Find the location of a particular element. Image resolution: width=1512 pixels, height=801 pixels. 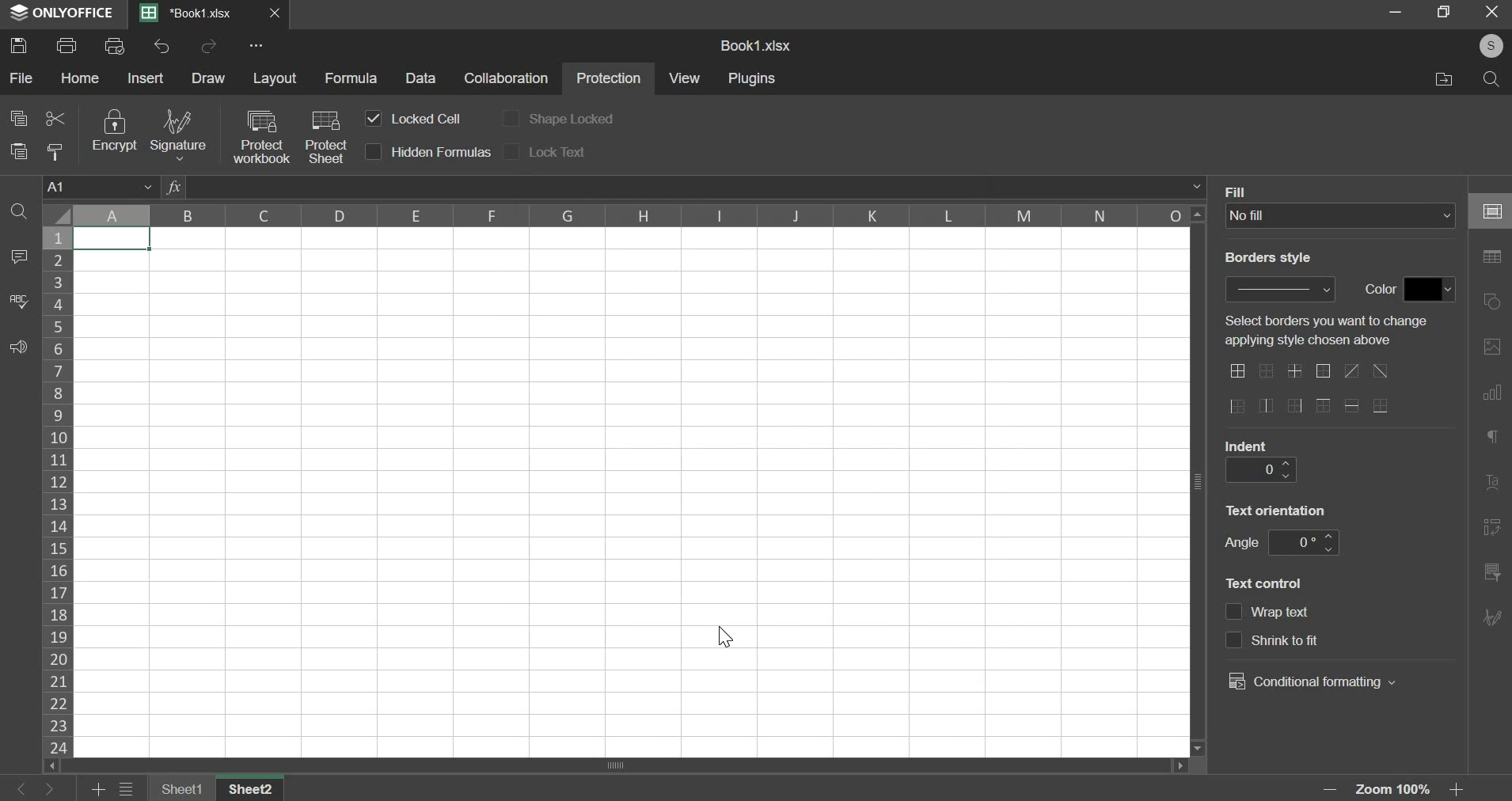

right side bar is located at coordinates (1492, 615).